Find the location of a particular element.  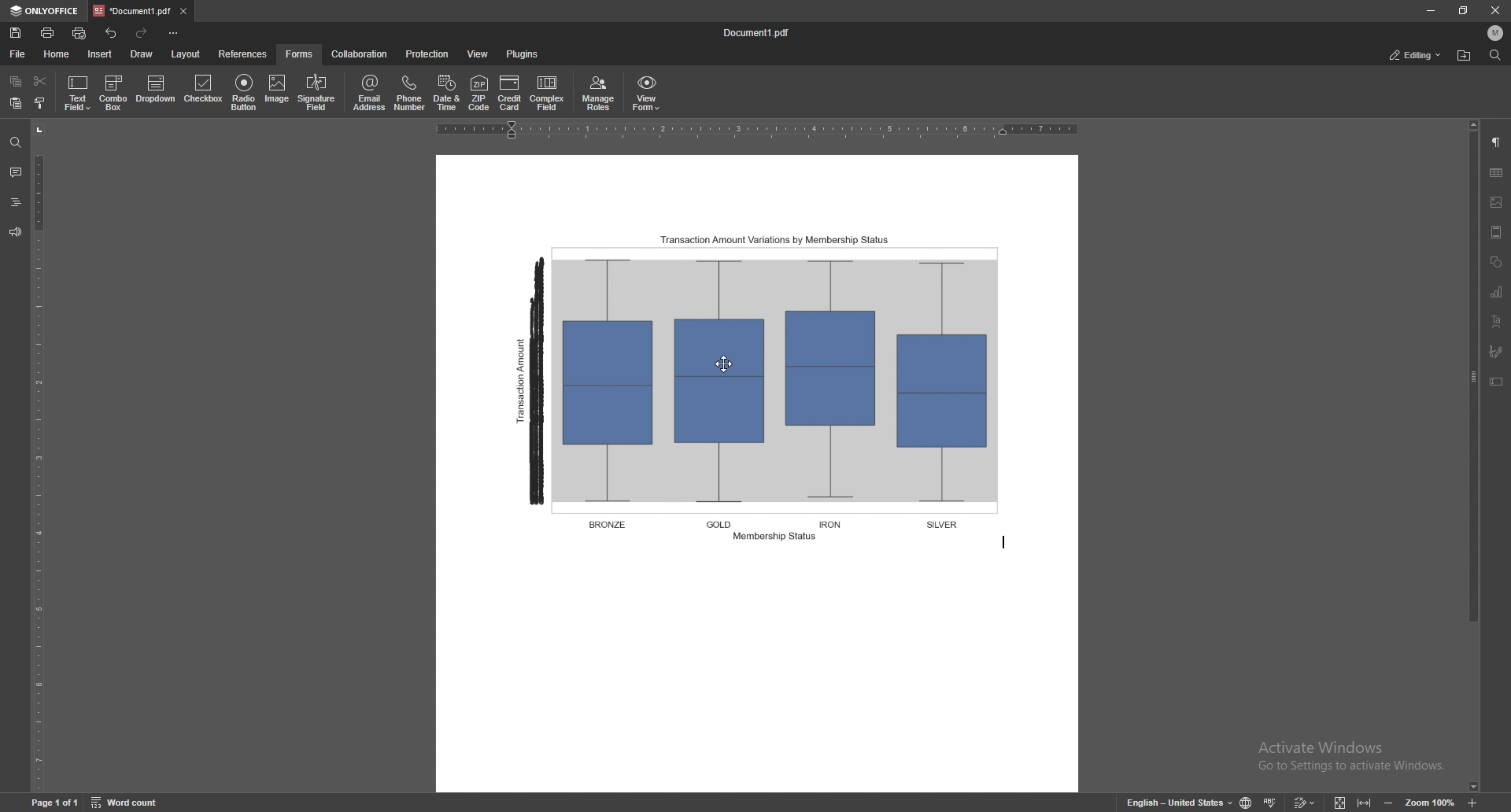

image is located at coordinates (277, 92).